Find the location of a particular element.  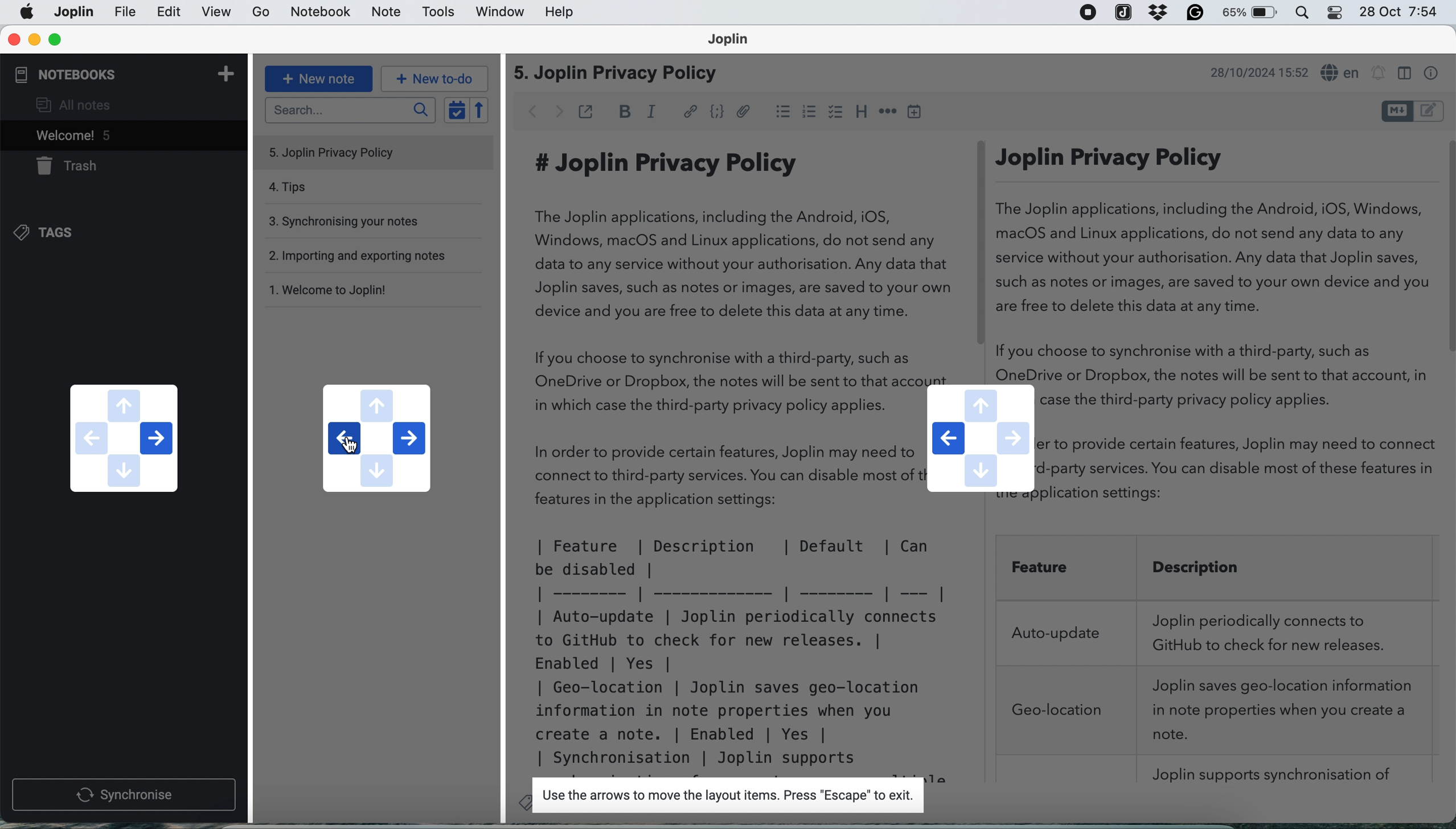

maximise is located at coordinates (55, 40).